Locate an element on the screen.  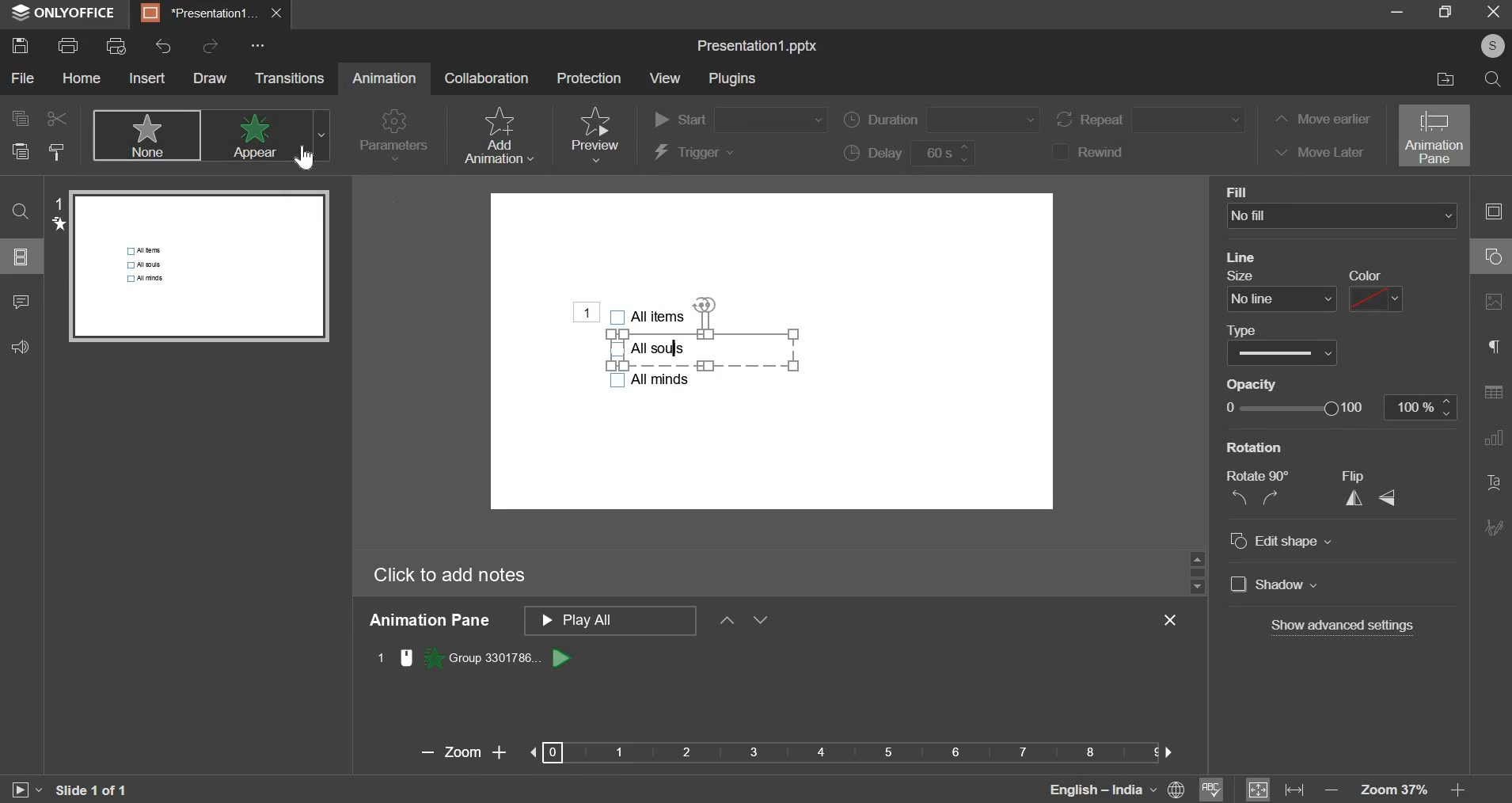
copy style is located at coordinates (59, 151).